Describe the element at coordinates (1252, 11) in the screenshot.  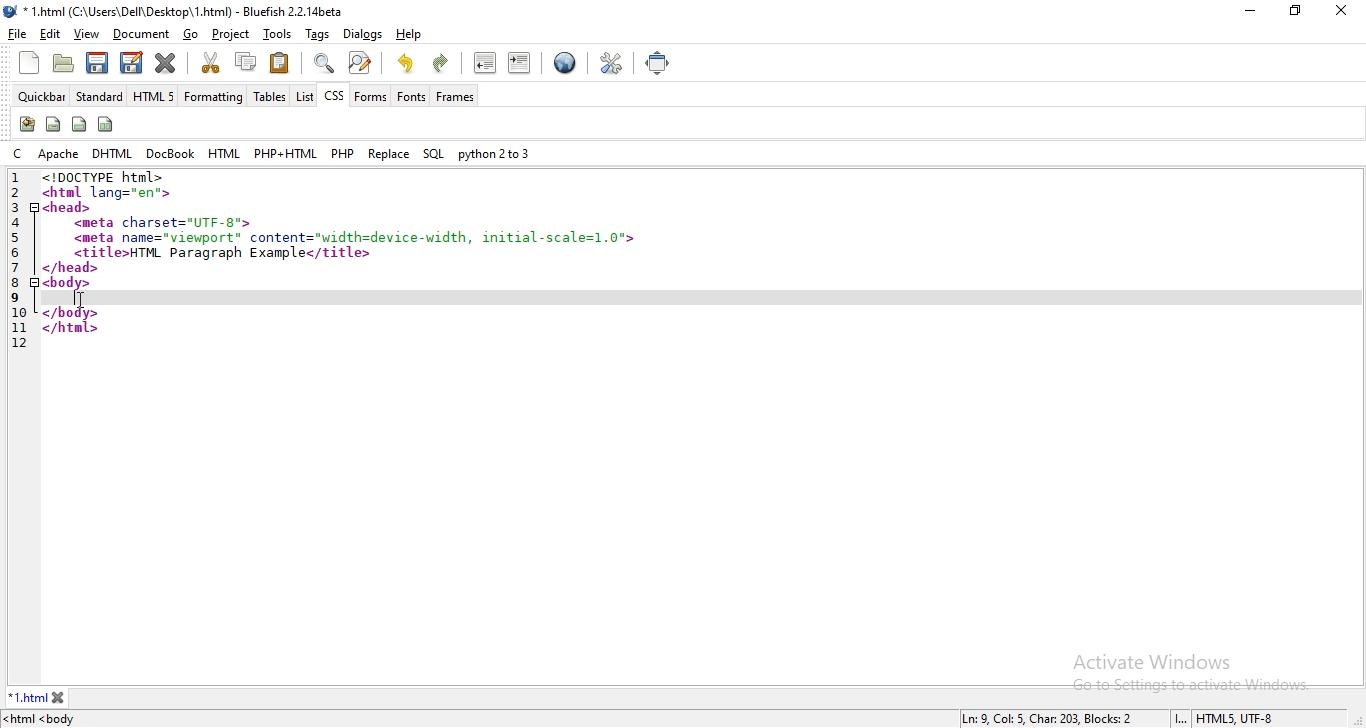
I see `minimize` at that location.